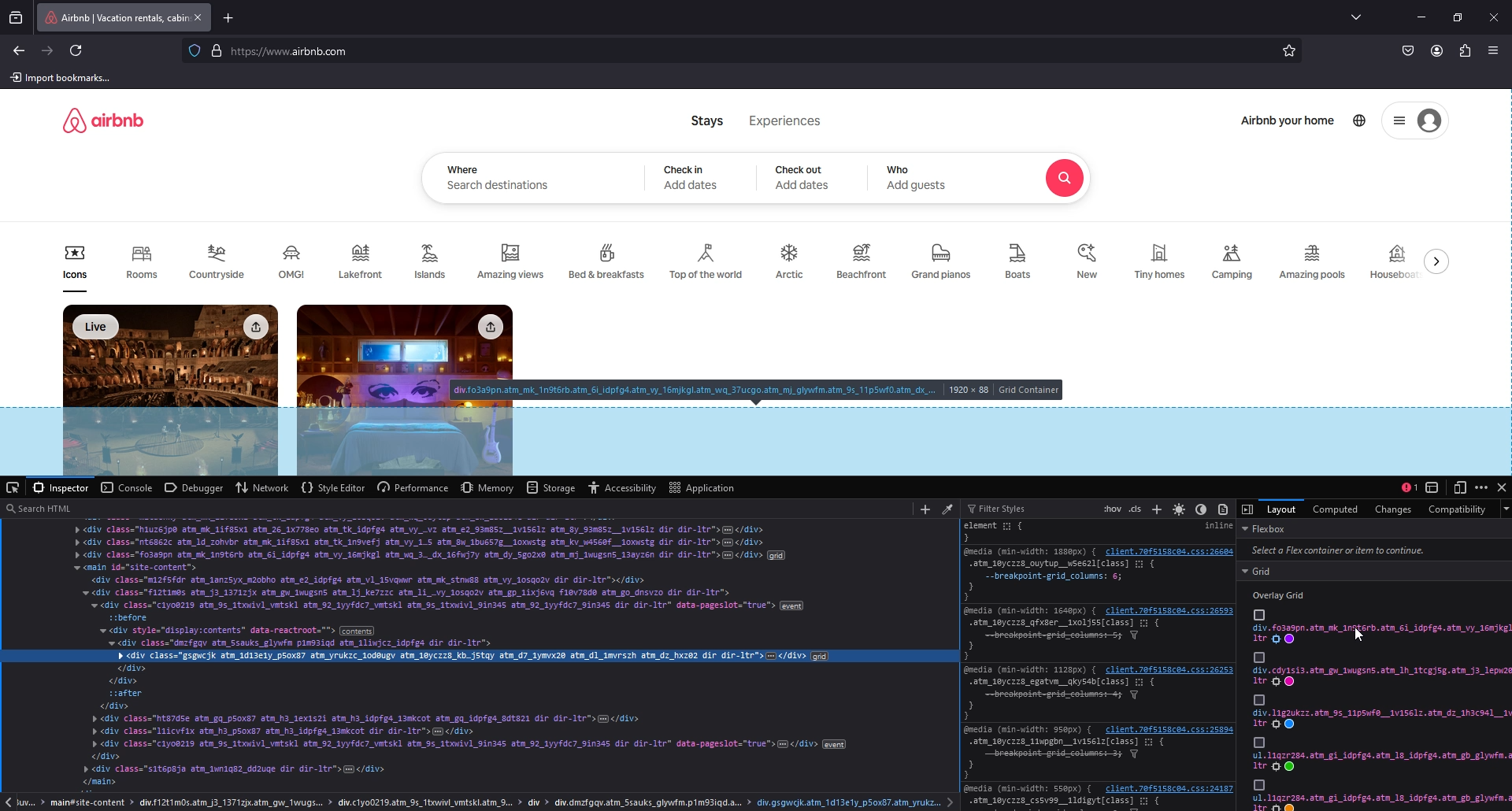 This screenshot has width=1512, height=811. What do you see at coordinates (231, 17) in the screenshot?
I see `add tab` at bounding box center [231, 17].